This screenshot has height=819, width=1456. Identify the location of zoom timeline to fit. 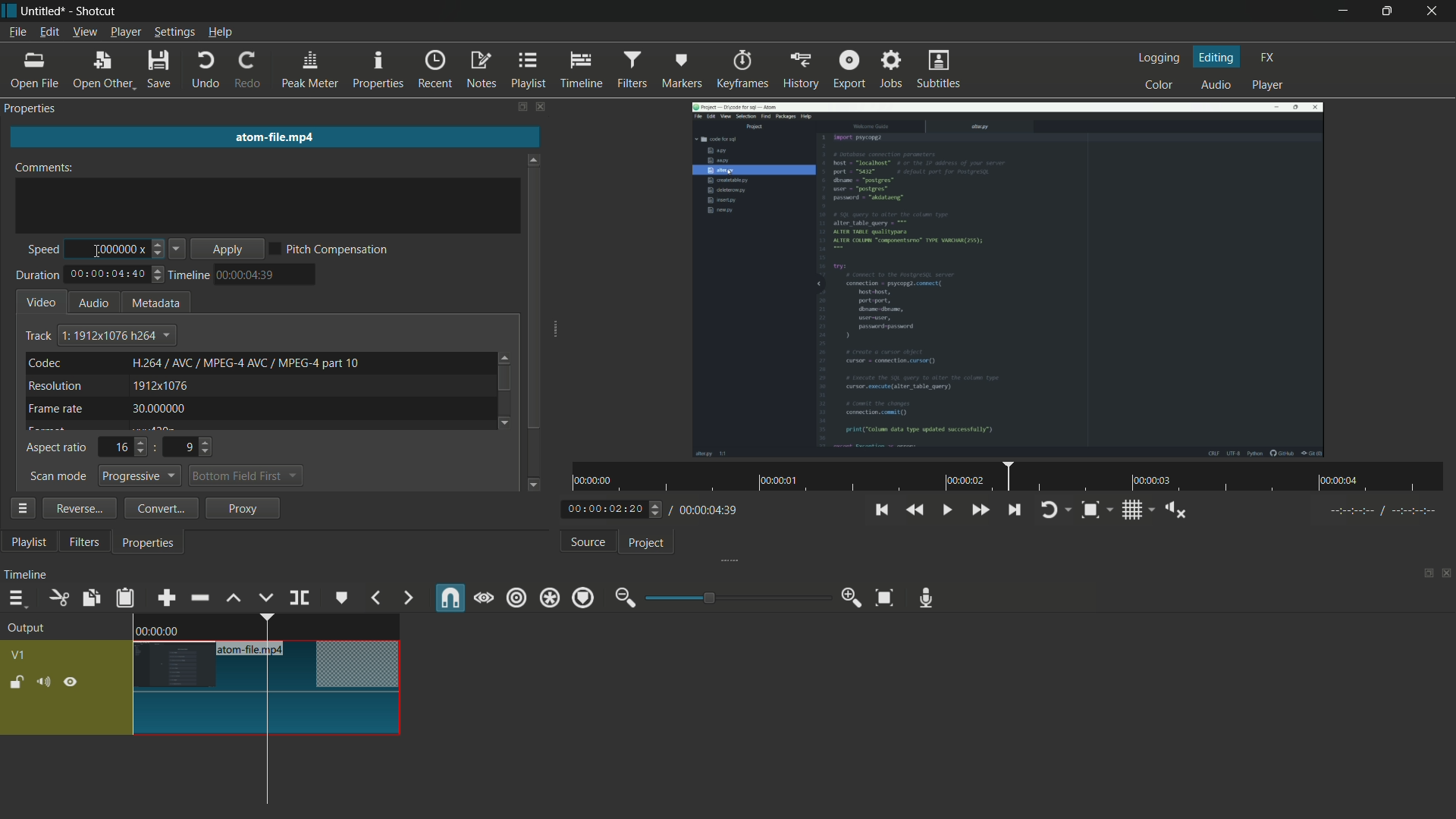
(885, 598).